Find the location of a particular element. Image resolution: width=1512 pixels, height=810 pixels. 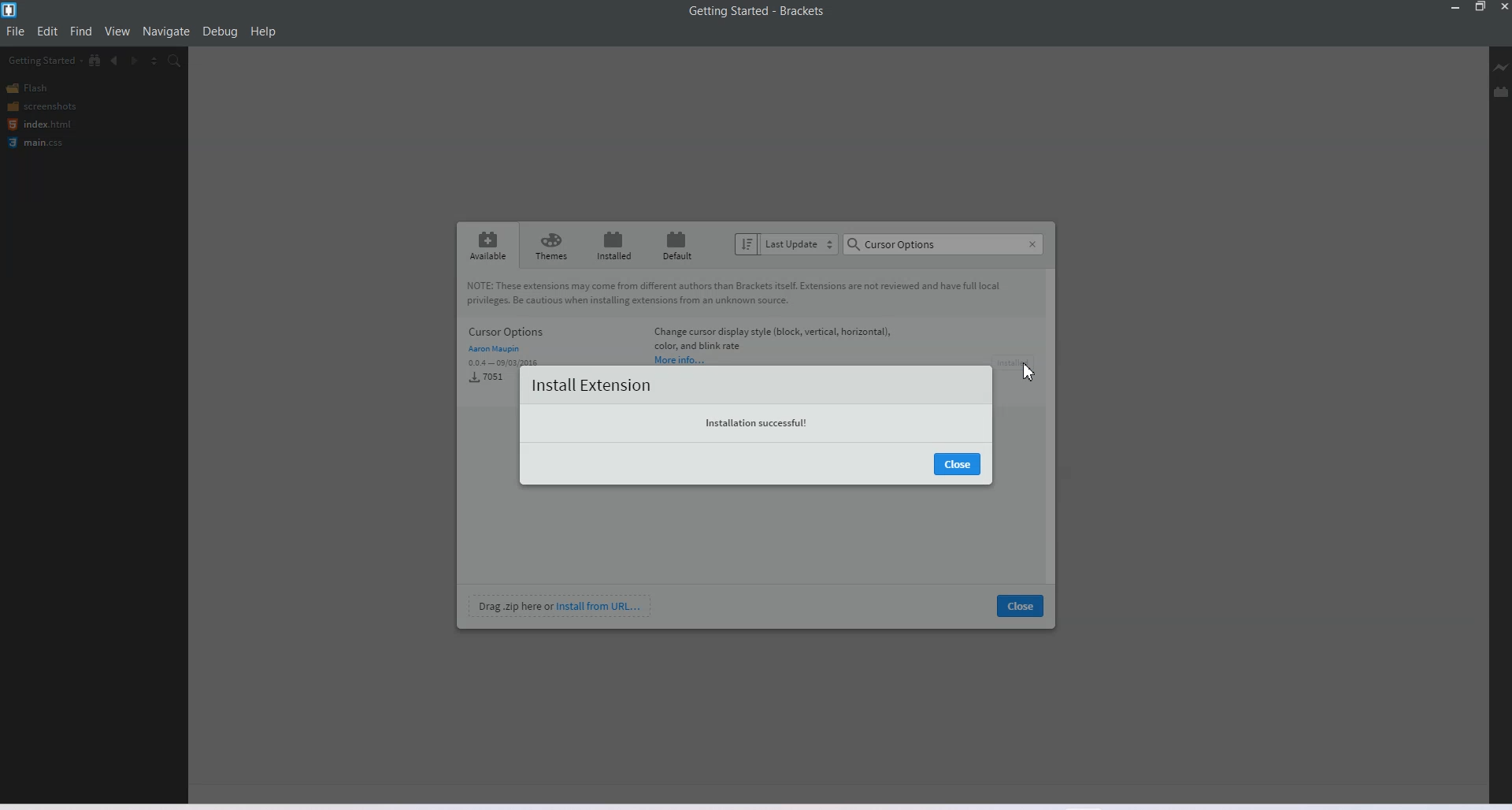

sort is located at coordinates (747, 245).